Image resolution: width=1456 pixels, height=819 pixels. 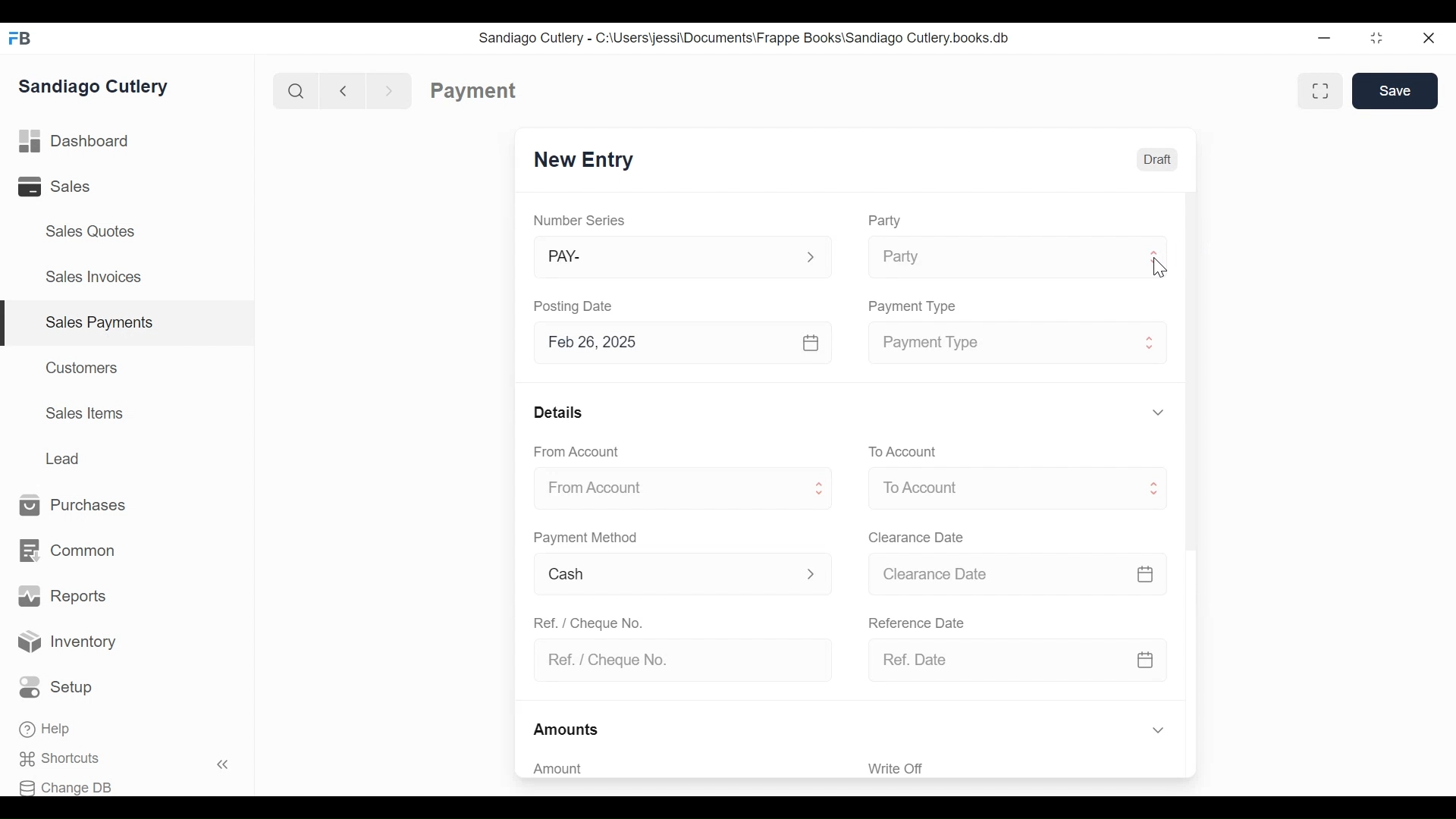 I want to click on Expand, so click(x=1153, y=489).